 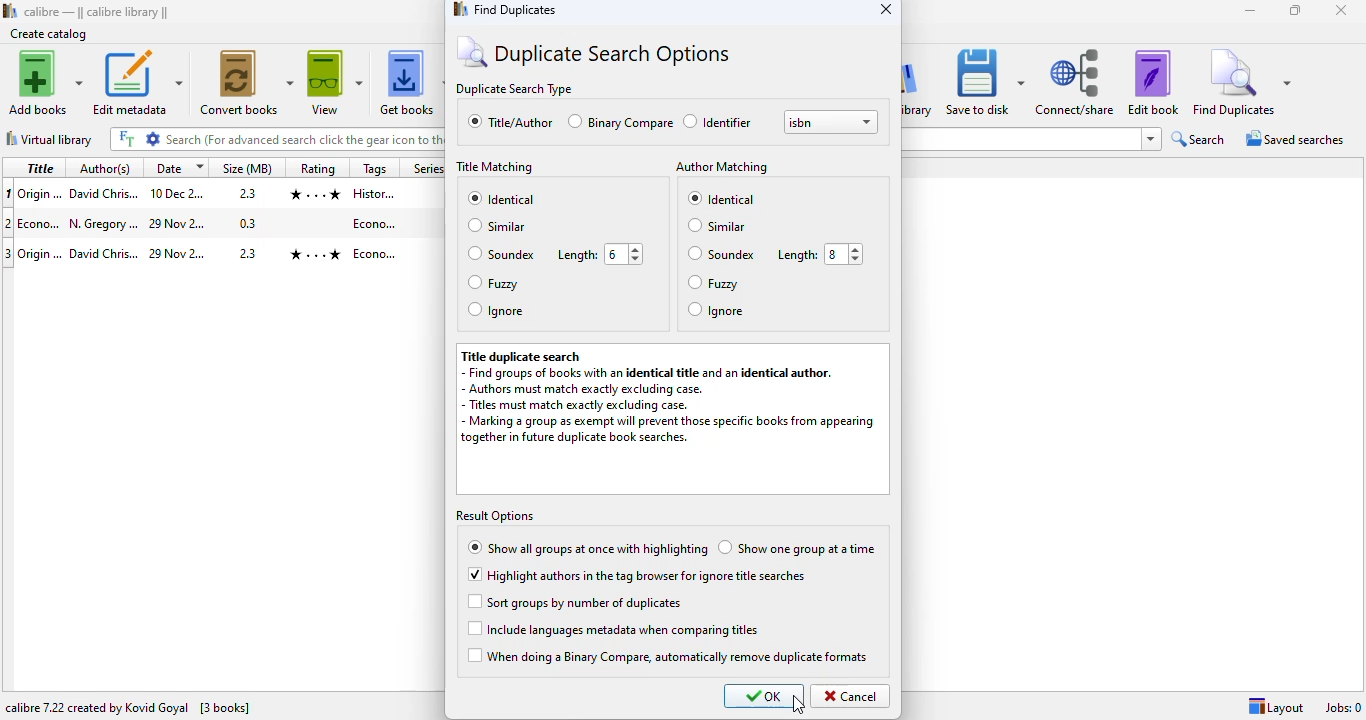 What do you see at coordinates (105, 168) in the screenshot?
I see `author(s)` at bounding box center [105, 168].